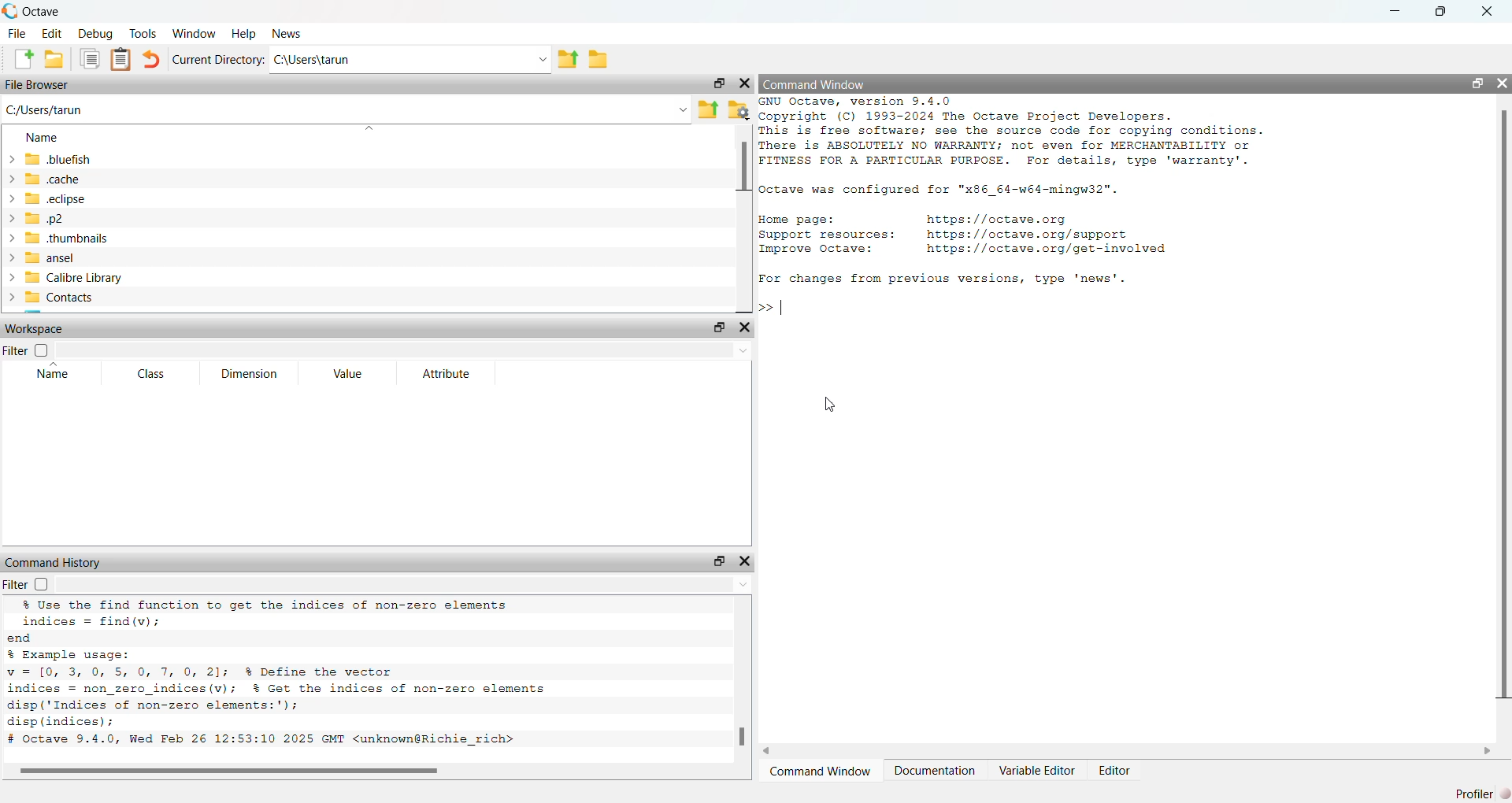 The width and height of the screenshot is (1512, 803). I want to click on Value, so click(347, 375).